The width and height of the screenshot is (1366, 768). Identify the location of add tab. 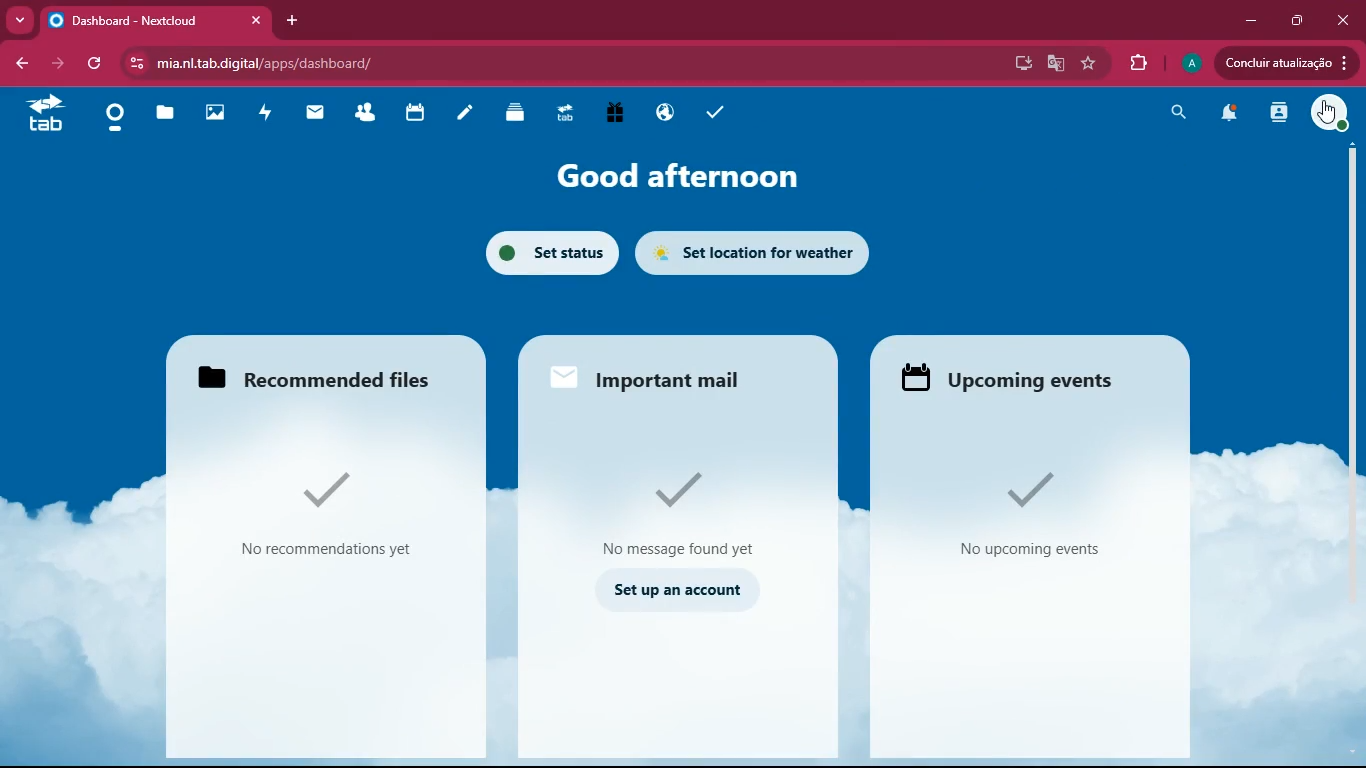
(294, 22).